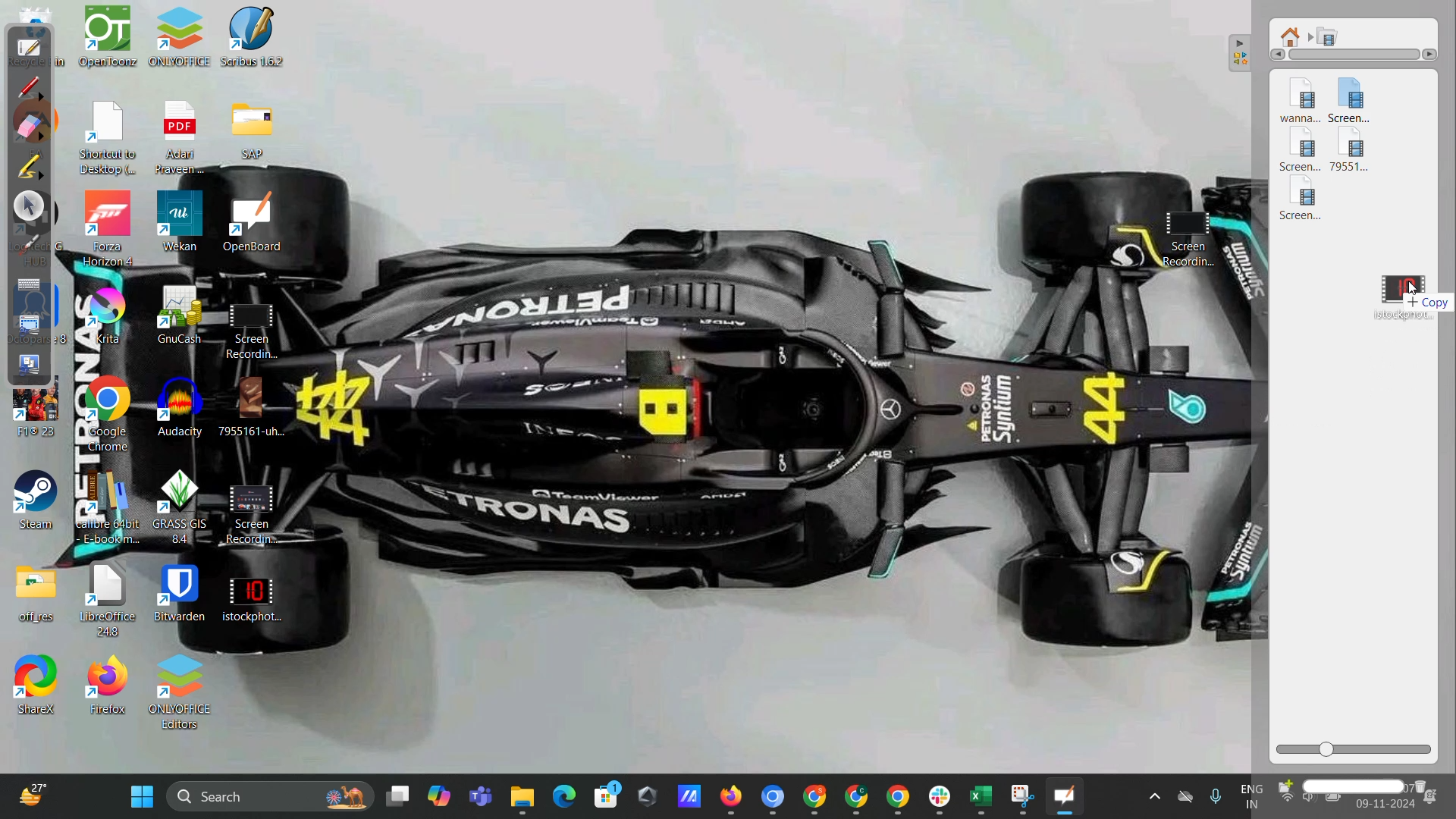 The height and width of the screenshot is (819, 1456). What do you see at coordinates (1435, 50) in the screenshot?
I see `` at bounding box center [1435, 50].